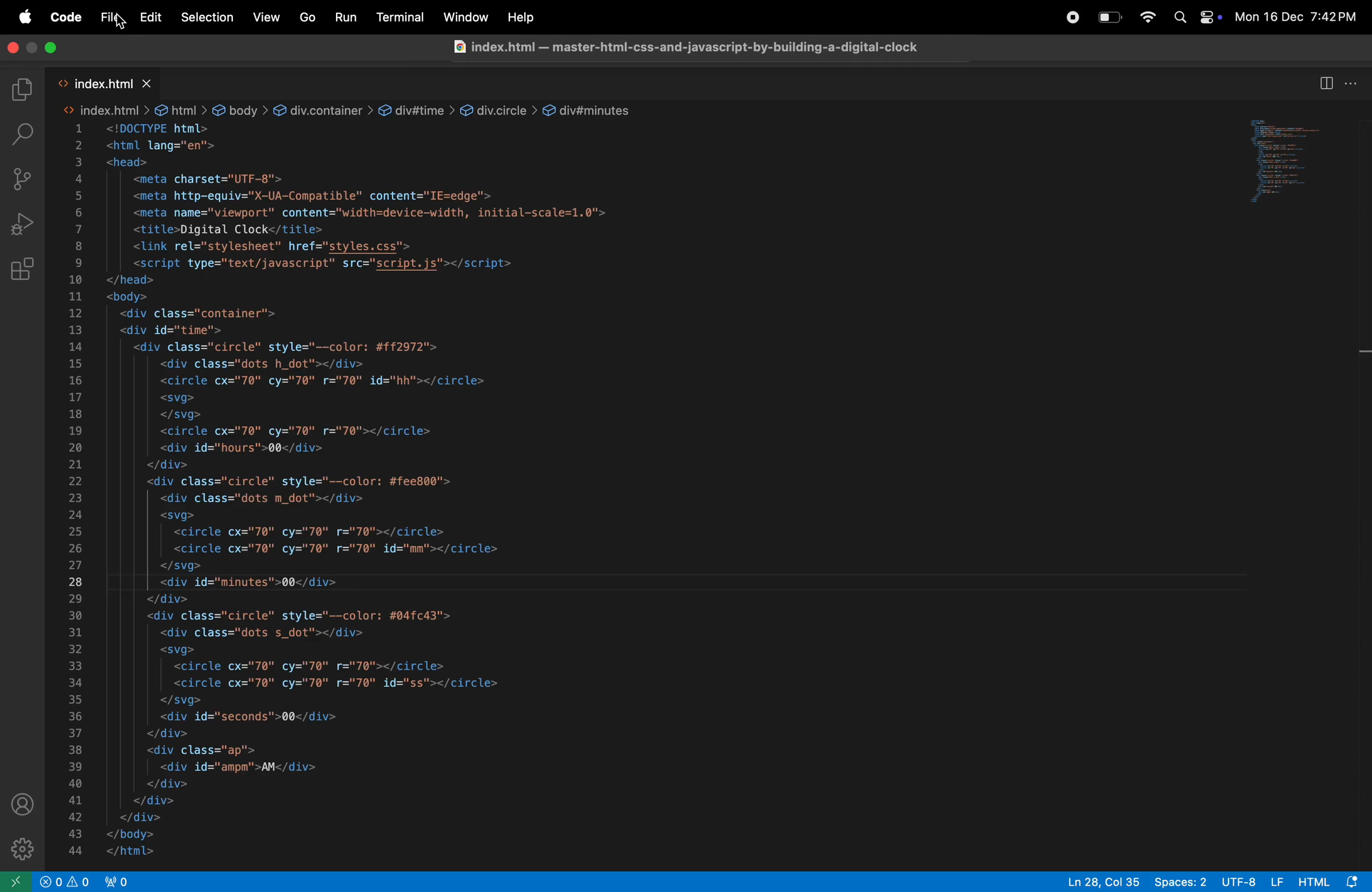 The width and height of the screenshot is (1372, 892). Describe the element at coordinates (23, 225) in the screenshot. I see `run debug` at that location.